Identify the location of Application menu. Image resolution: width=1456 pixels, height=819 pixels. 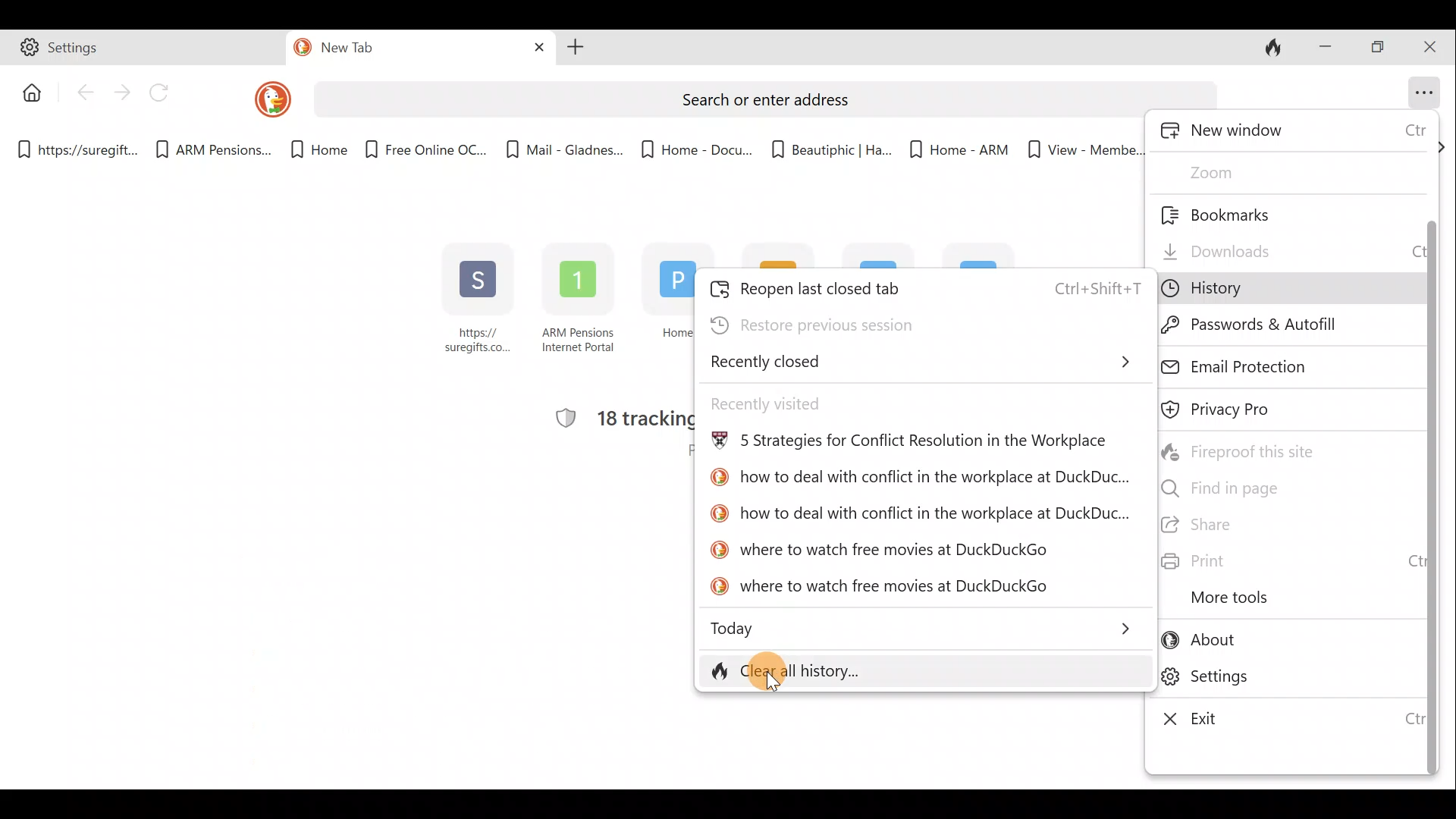
(1426, 89).